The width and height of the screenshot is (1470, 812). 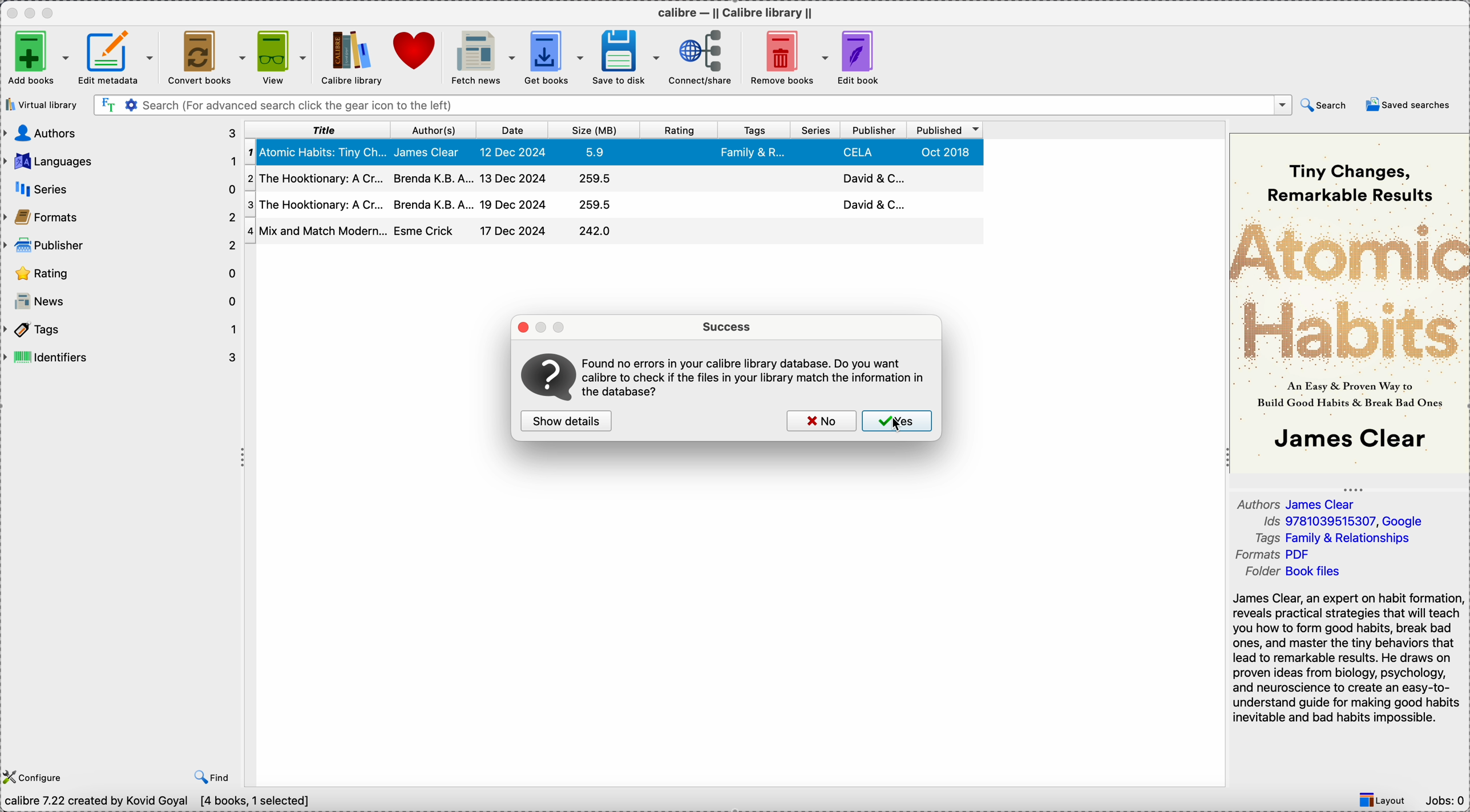 What do you see at coordinates (568, 420) in the screenshot?
I see `show details` at bounding box center [568, 420].